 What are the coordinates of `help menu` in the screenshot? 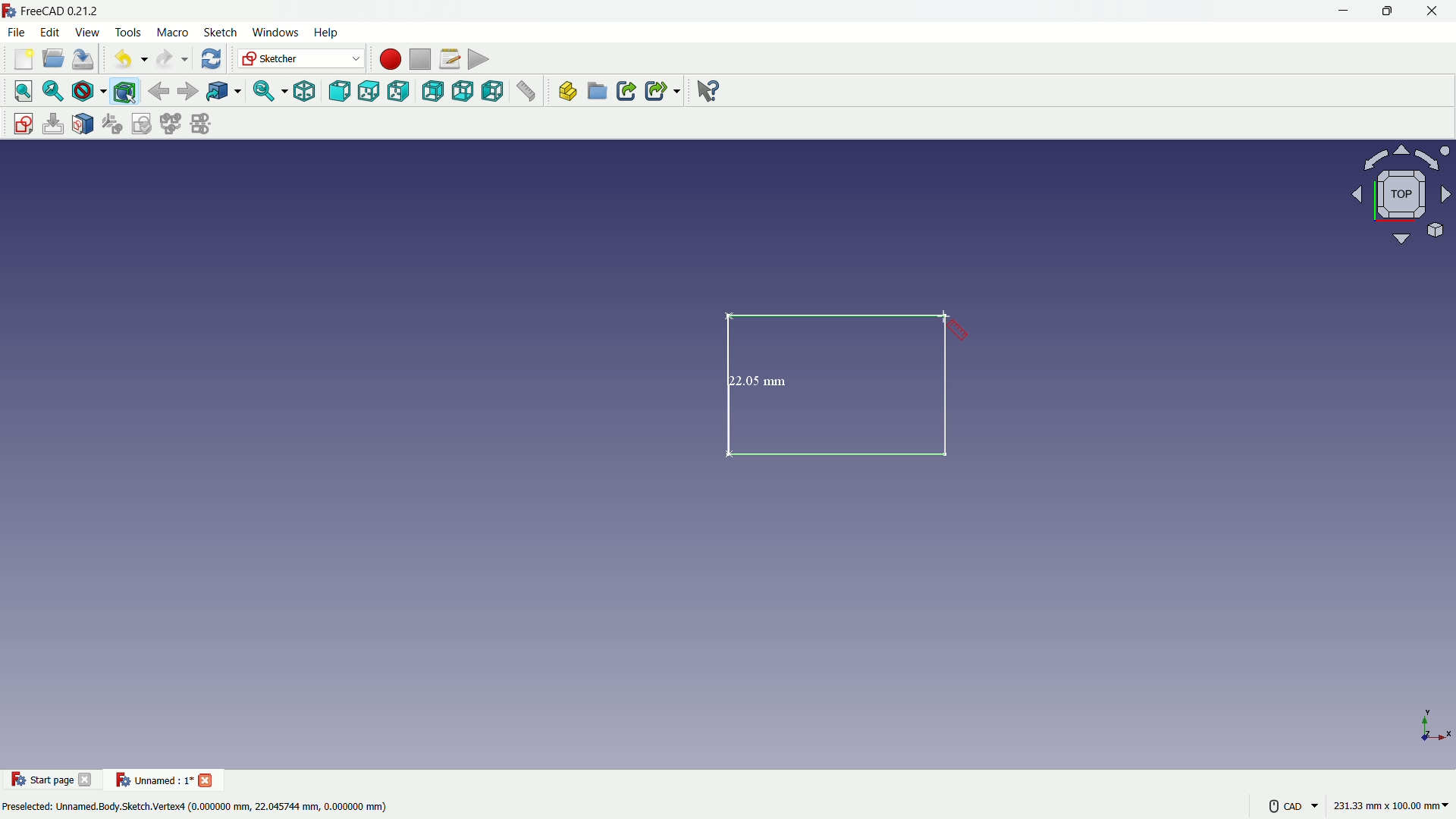 It's located at (328, 33).